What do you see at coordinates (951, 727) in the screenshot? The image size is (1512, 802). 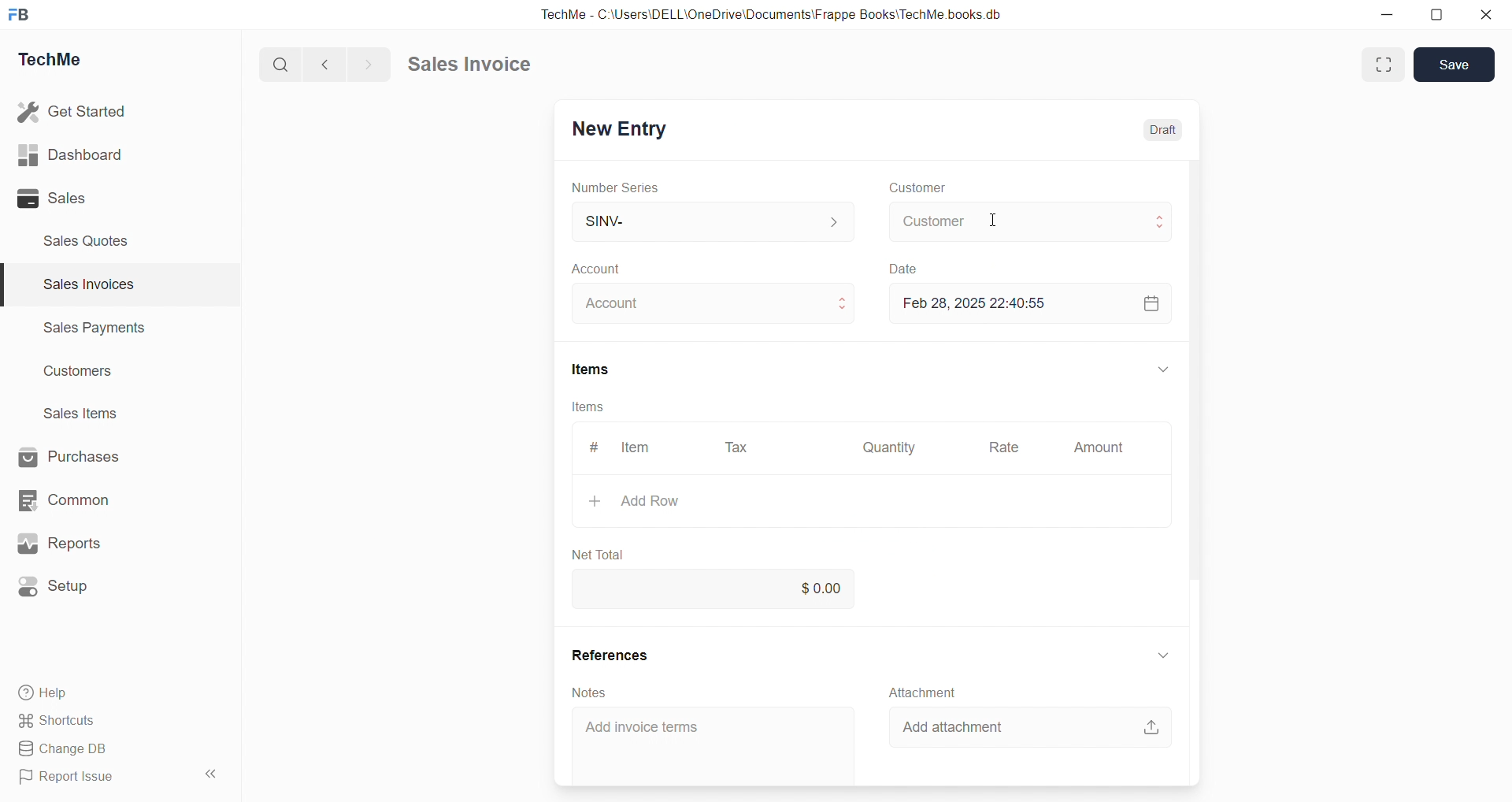 I see `Add attachment` at bounding box center [951, 727].